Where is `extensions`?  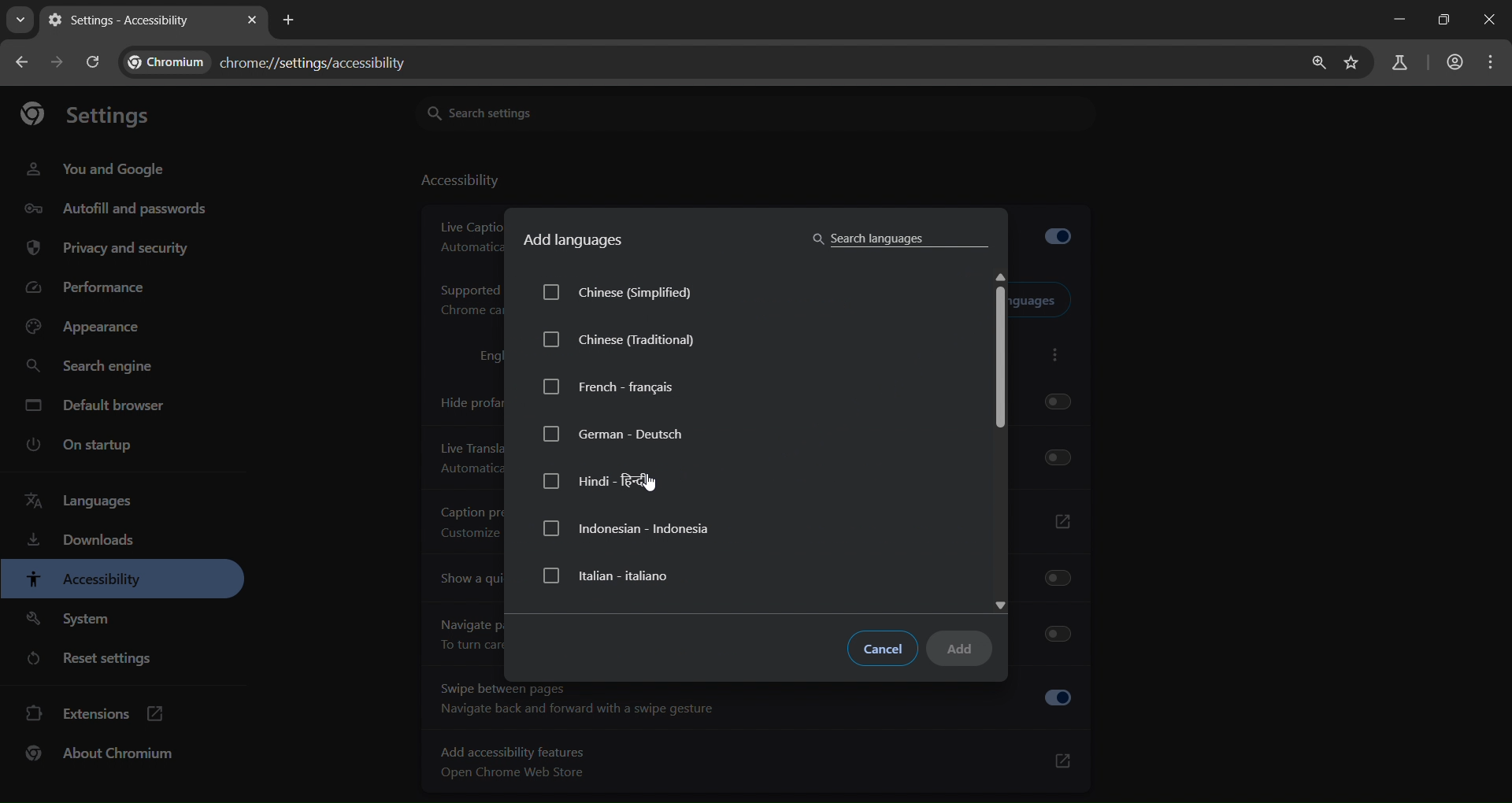 extensions is located at coordinates (92, 715).